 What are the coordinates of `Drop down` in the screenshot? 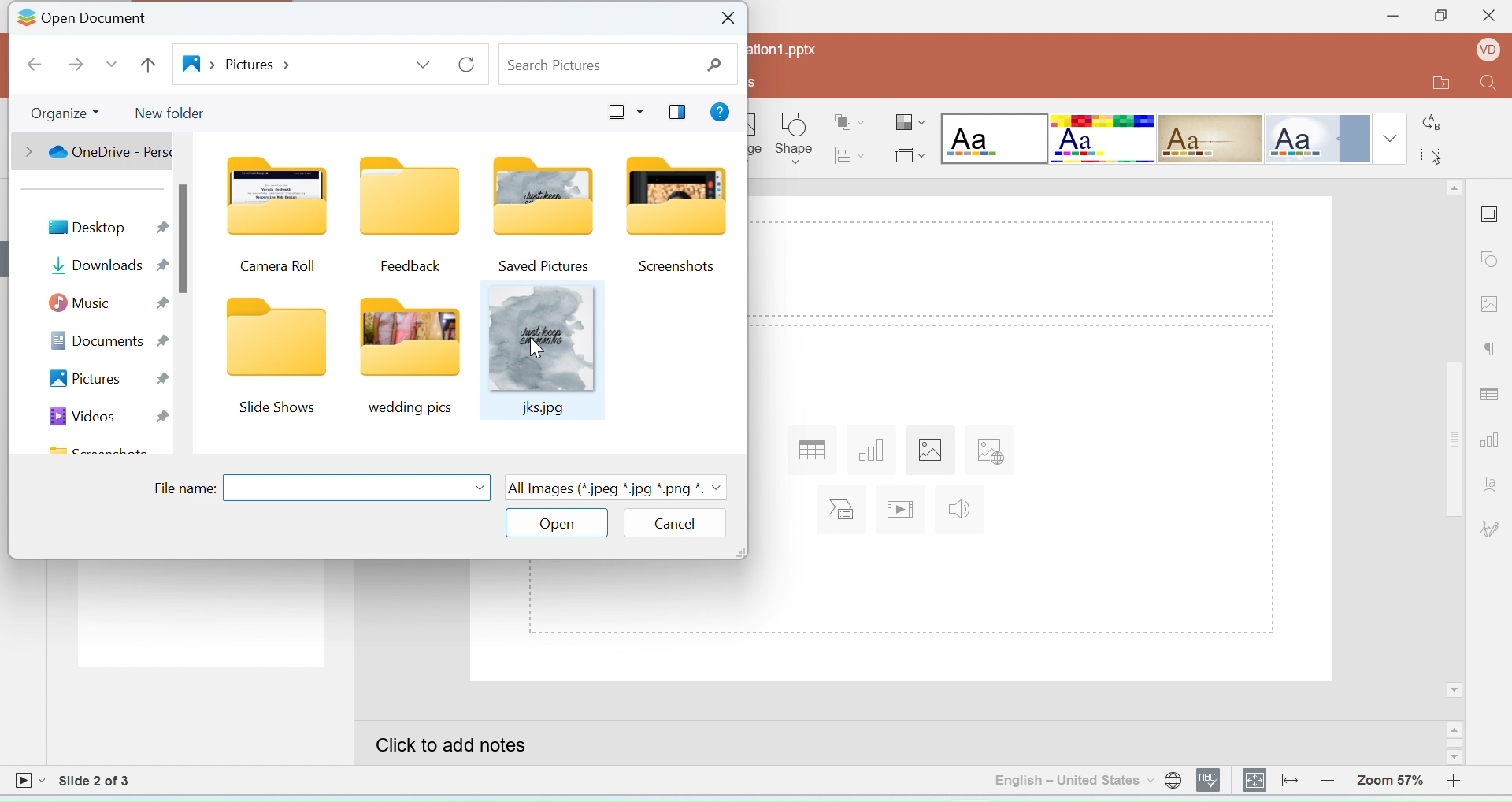 It's located at (1391, 138).